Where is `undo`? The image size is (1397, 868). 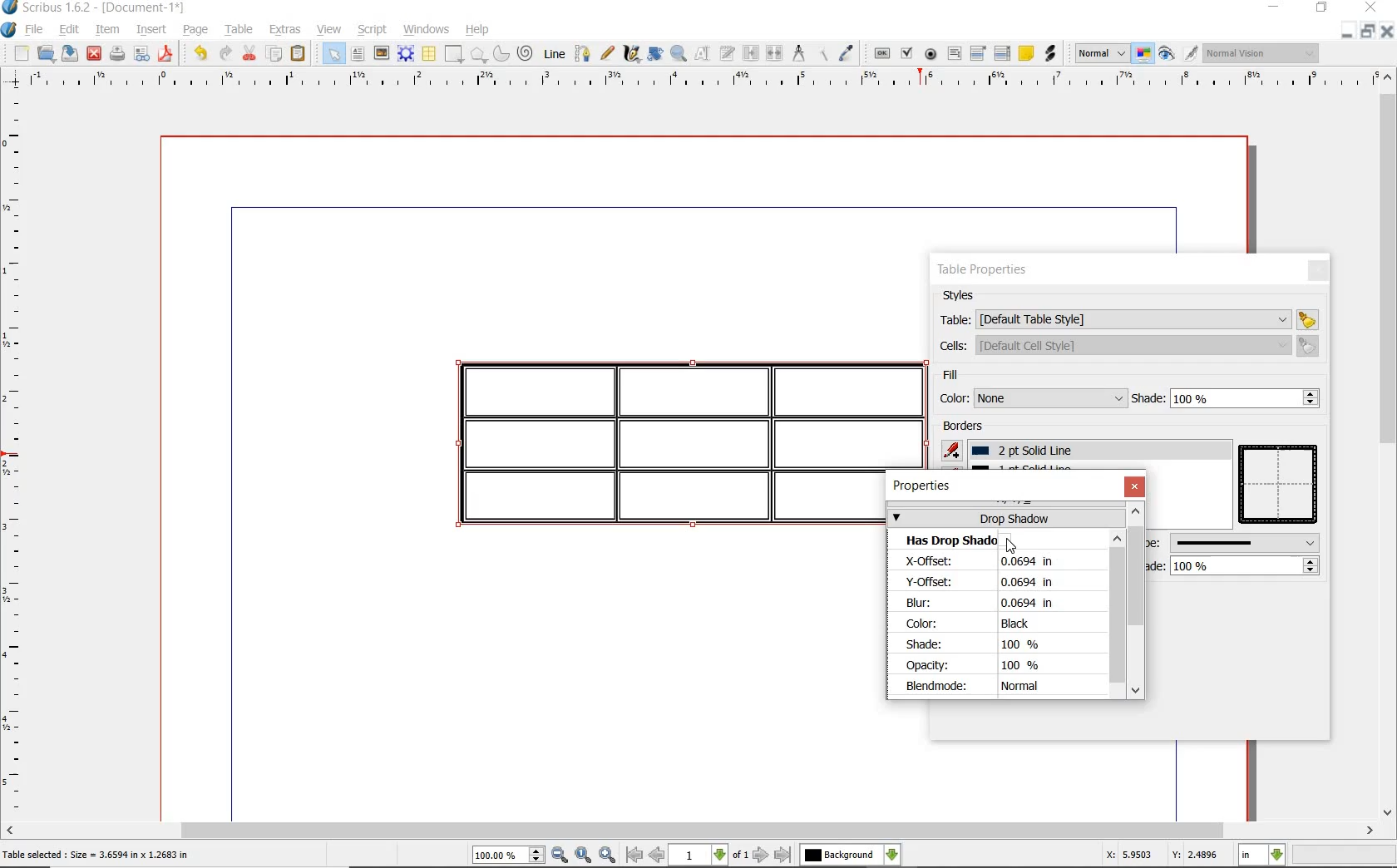 undo is located at coordinates (200, 54).